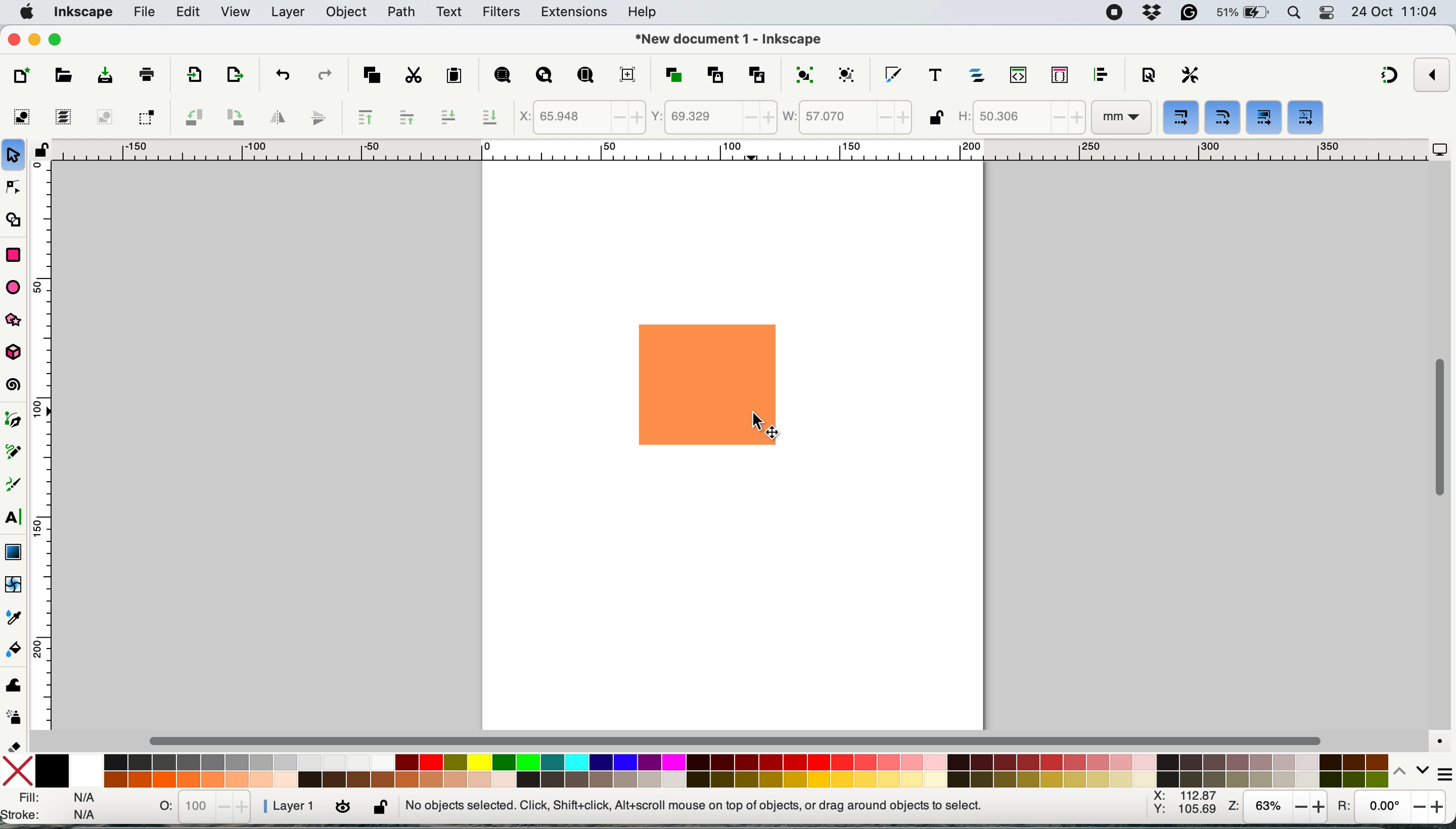  Describe the element at coordinates (15, 485) in the screenshot. I see `calligraphy tool` at that location.